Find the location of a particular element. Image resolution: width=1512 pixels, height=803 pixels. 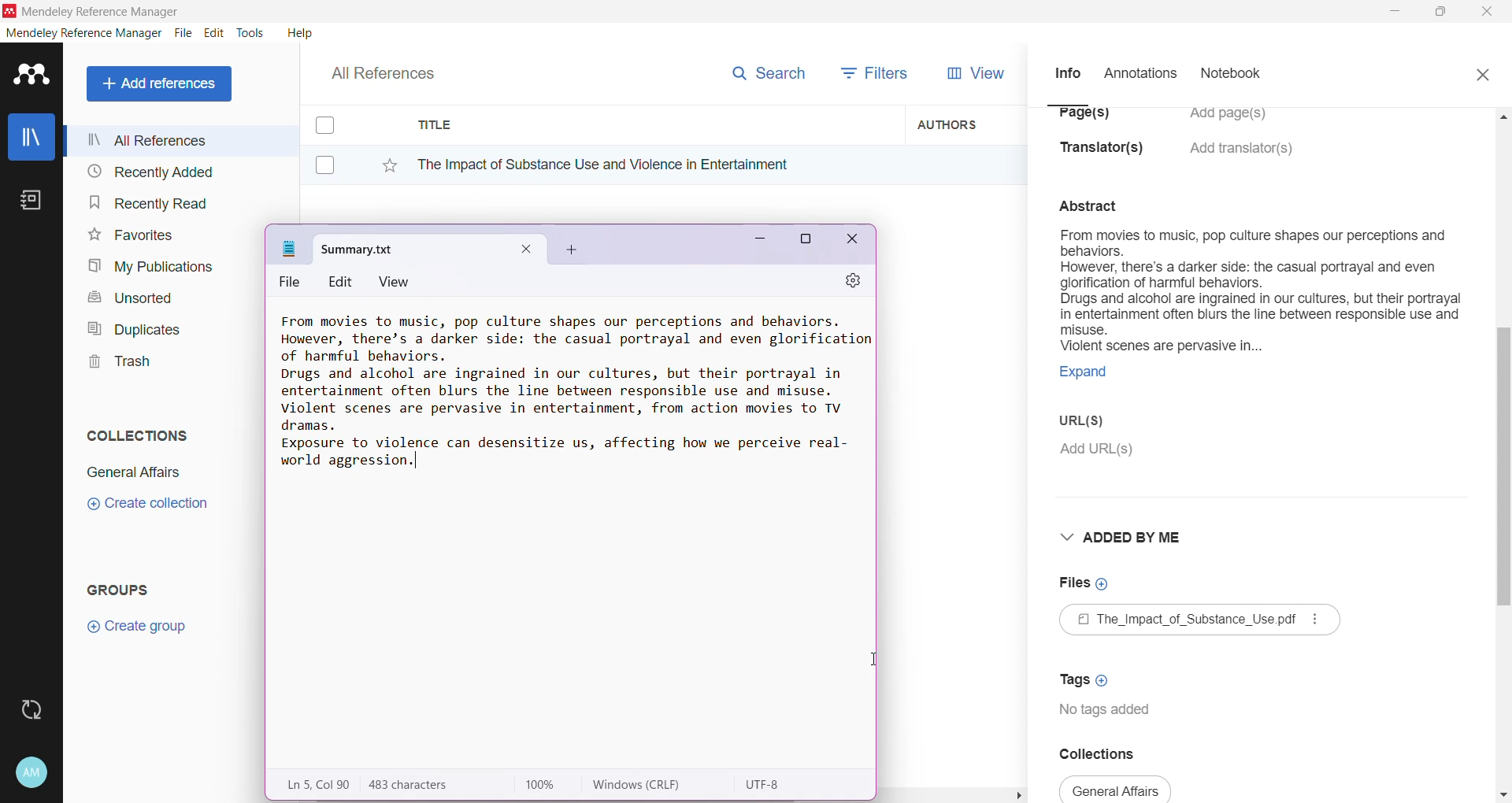

View is located at coordinates (973, 73).